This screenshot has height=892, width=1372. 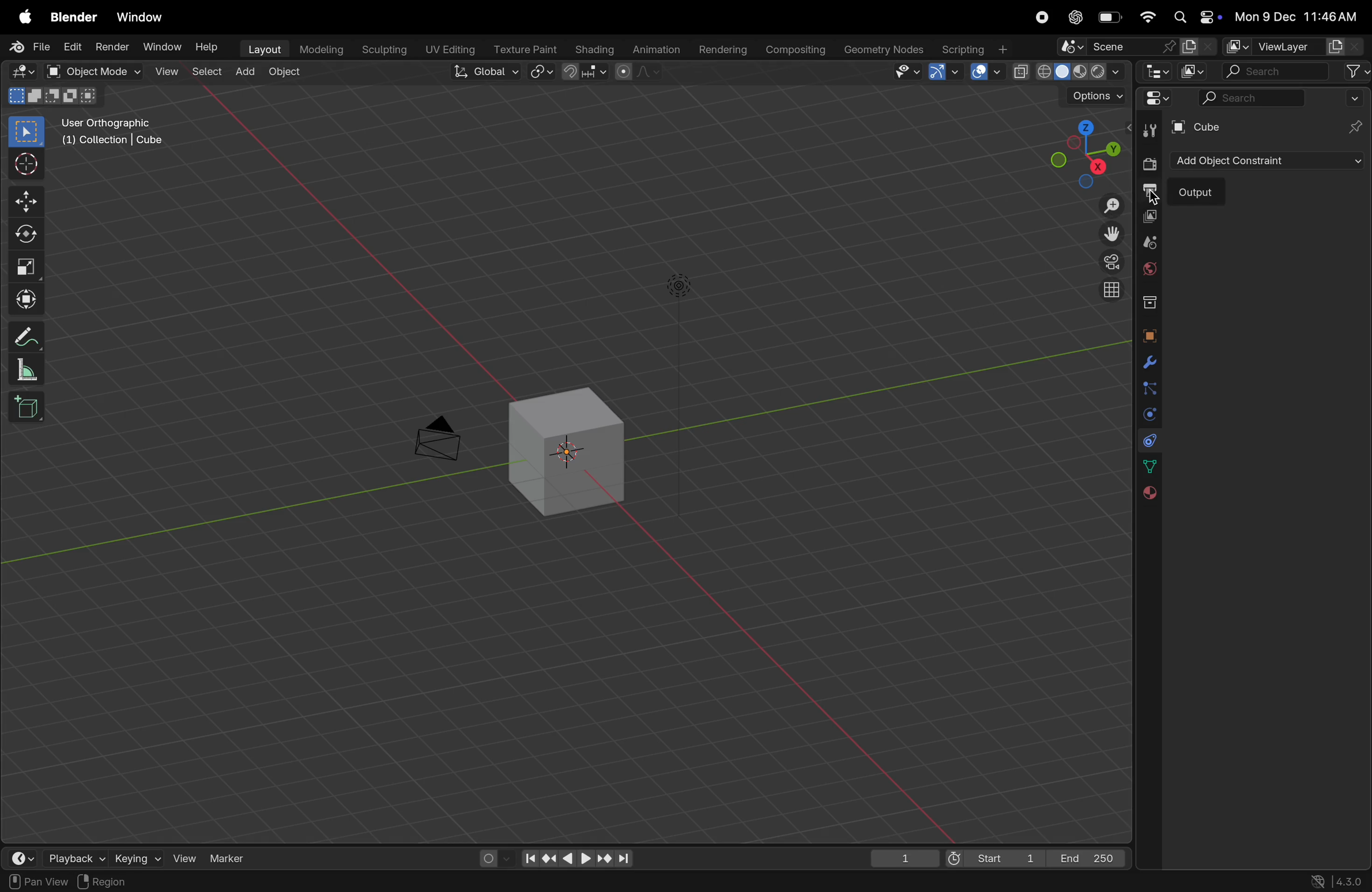 What do you see at coordinates (1297, 16) in the screenshot?
I see `date and time` at bounding box center [1297, 16].